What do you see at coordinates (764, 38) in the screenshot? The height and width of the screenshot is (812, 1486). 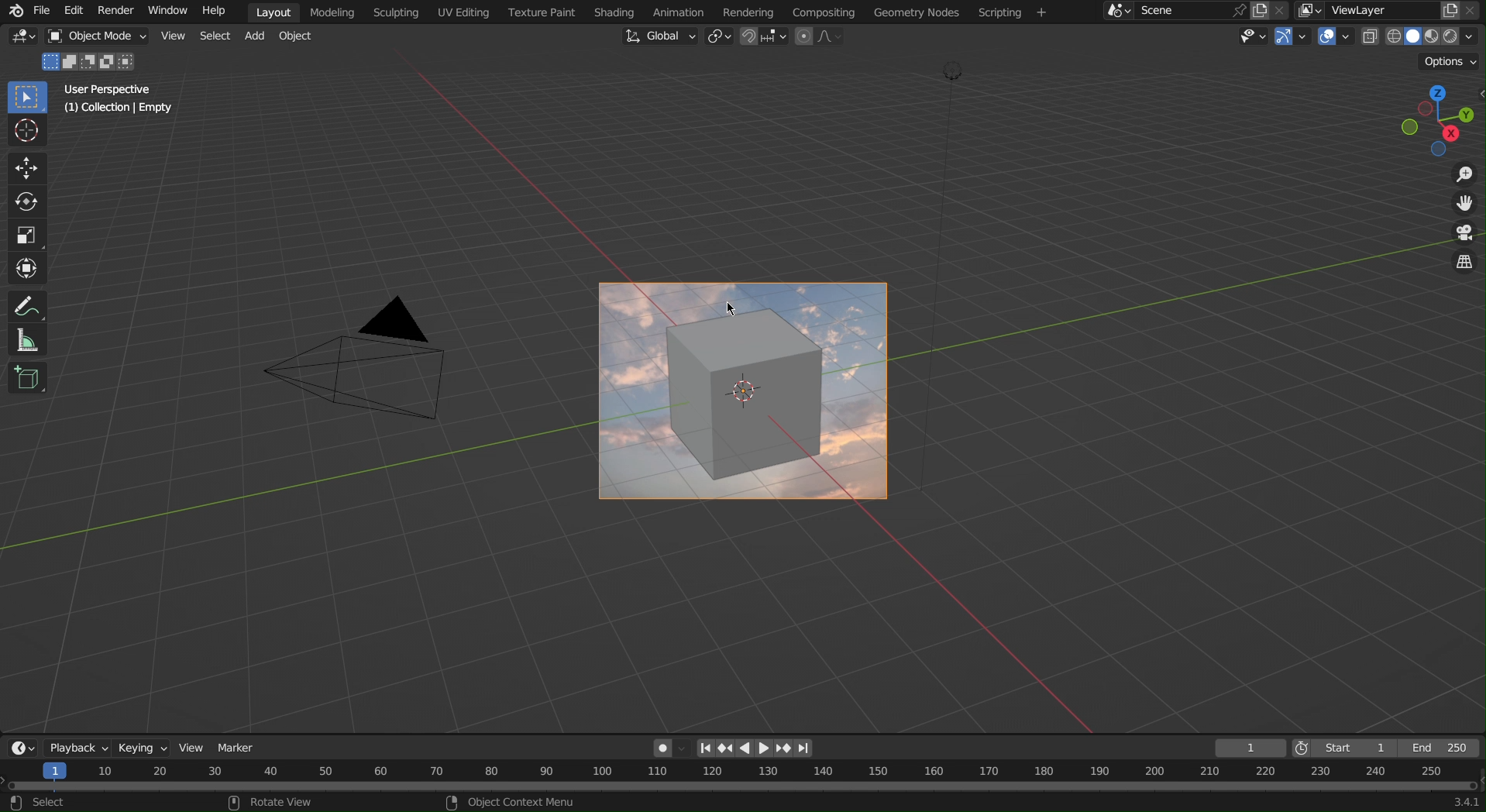 I see `Snapping` at bounding box center [764, 38].